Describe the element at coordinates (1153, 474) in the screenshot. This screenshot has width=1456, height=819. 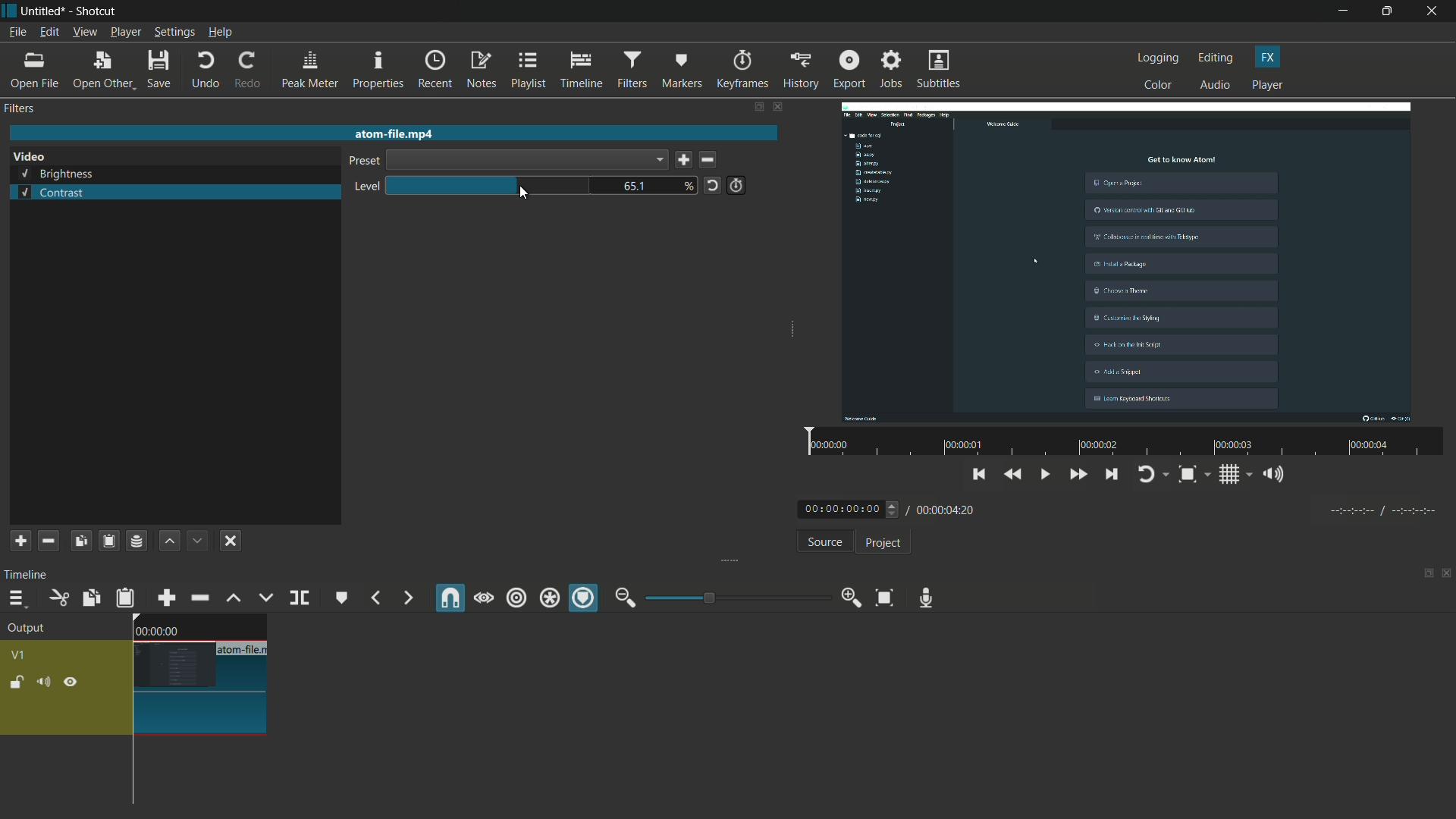
I see `toggle player logging` at that location.